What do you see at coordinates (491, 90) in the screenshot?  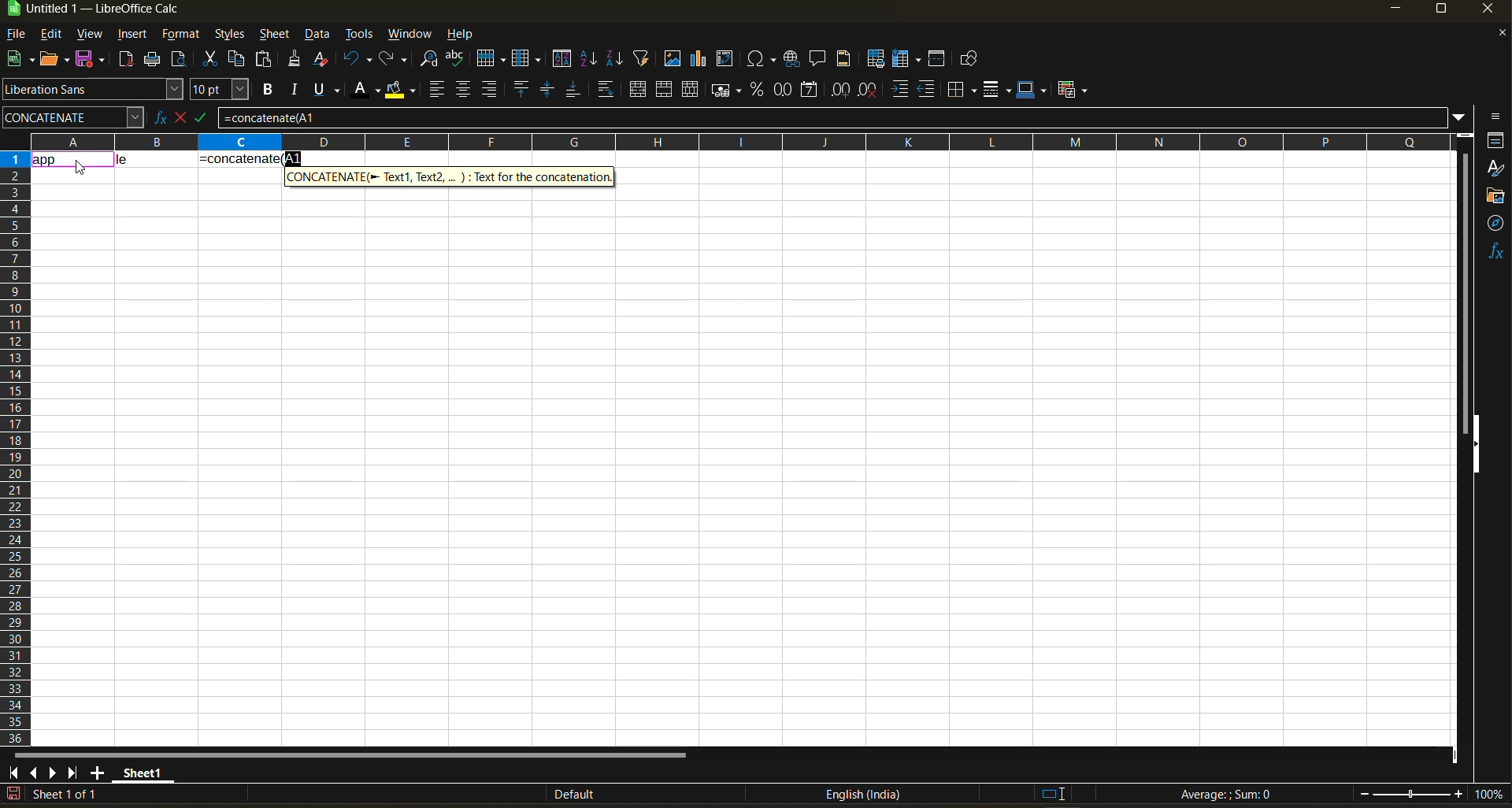 I see `align right` at bounding box center [491, 90].